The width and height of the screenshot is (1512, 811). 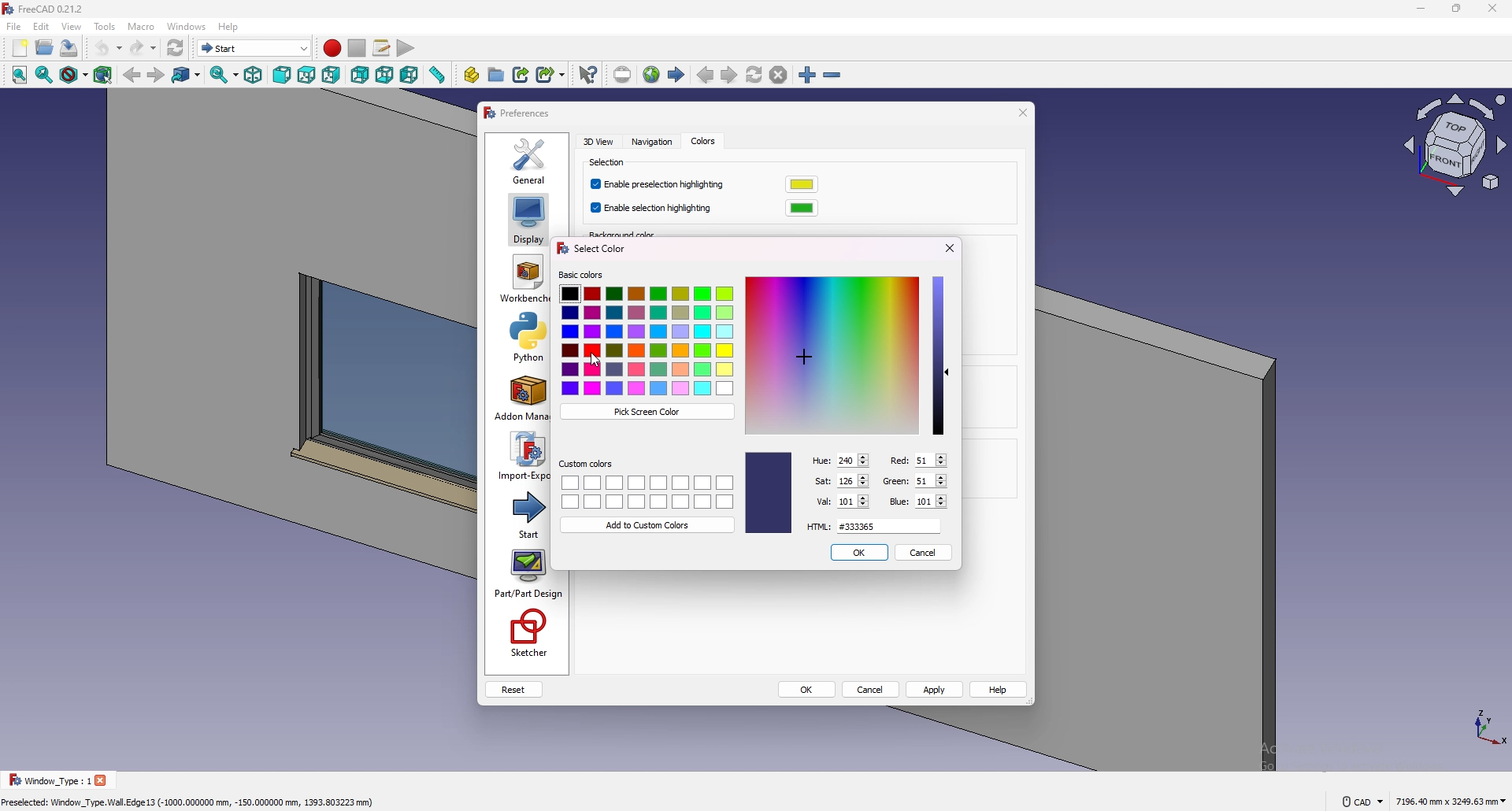 I want to click on help, so click(x=228, y=27).